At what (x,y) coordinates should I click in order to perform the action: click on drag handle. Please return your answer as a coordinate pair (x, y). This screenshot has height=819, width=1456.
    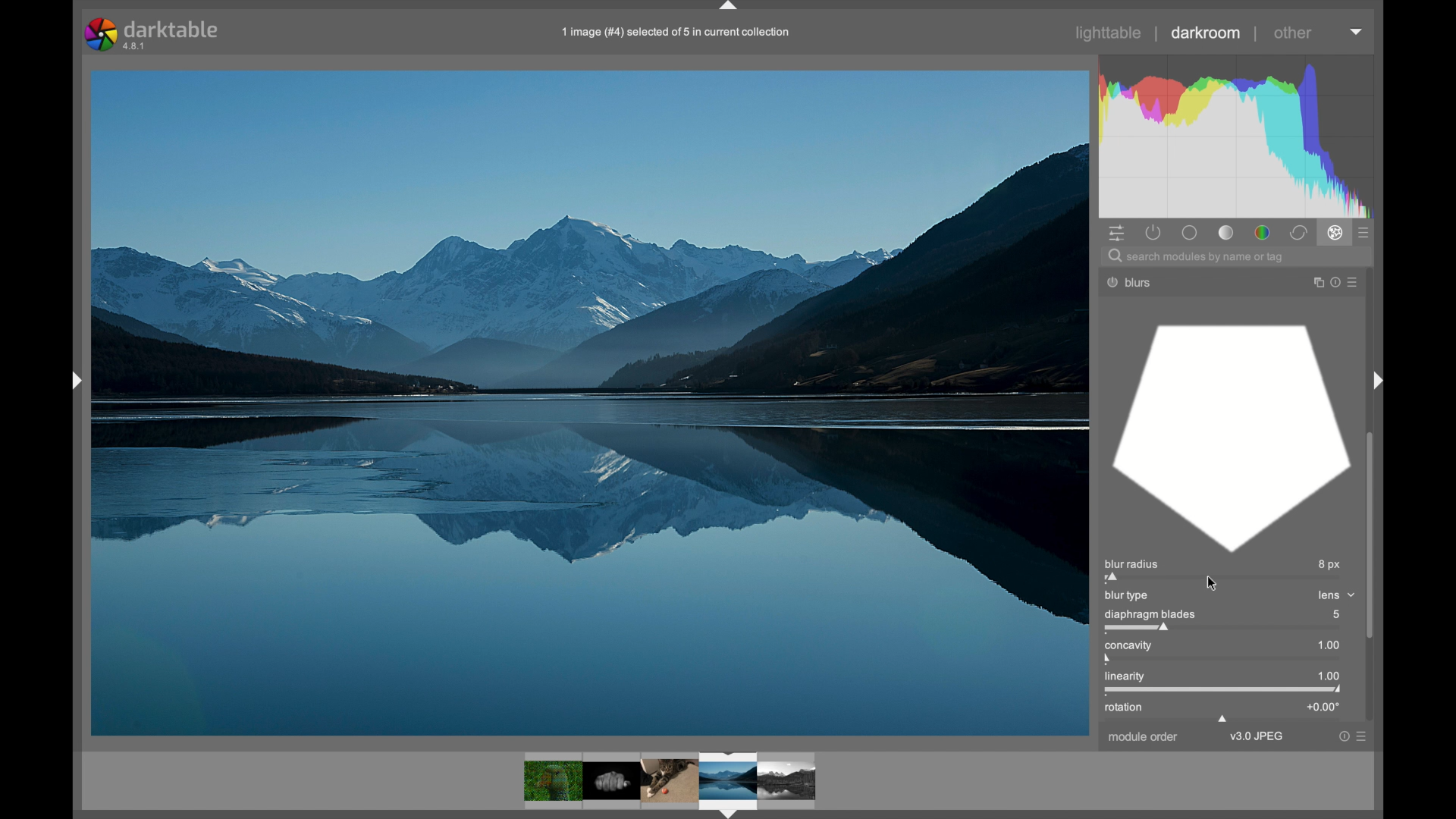
    Looking at the image, I should click on (730, 7).